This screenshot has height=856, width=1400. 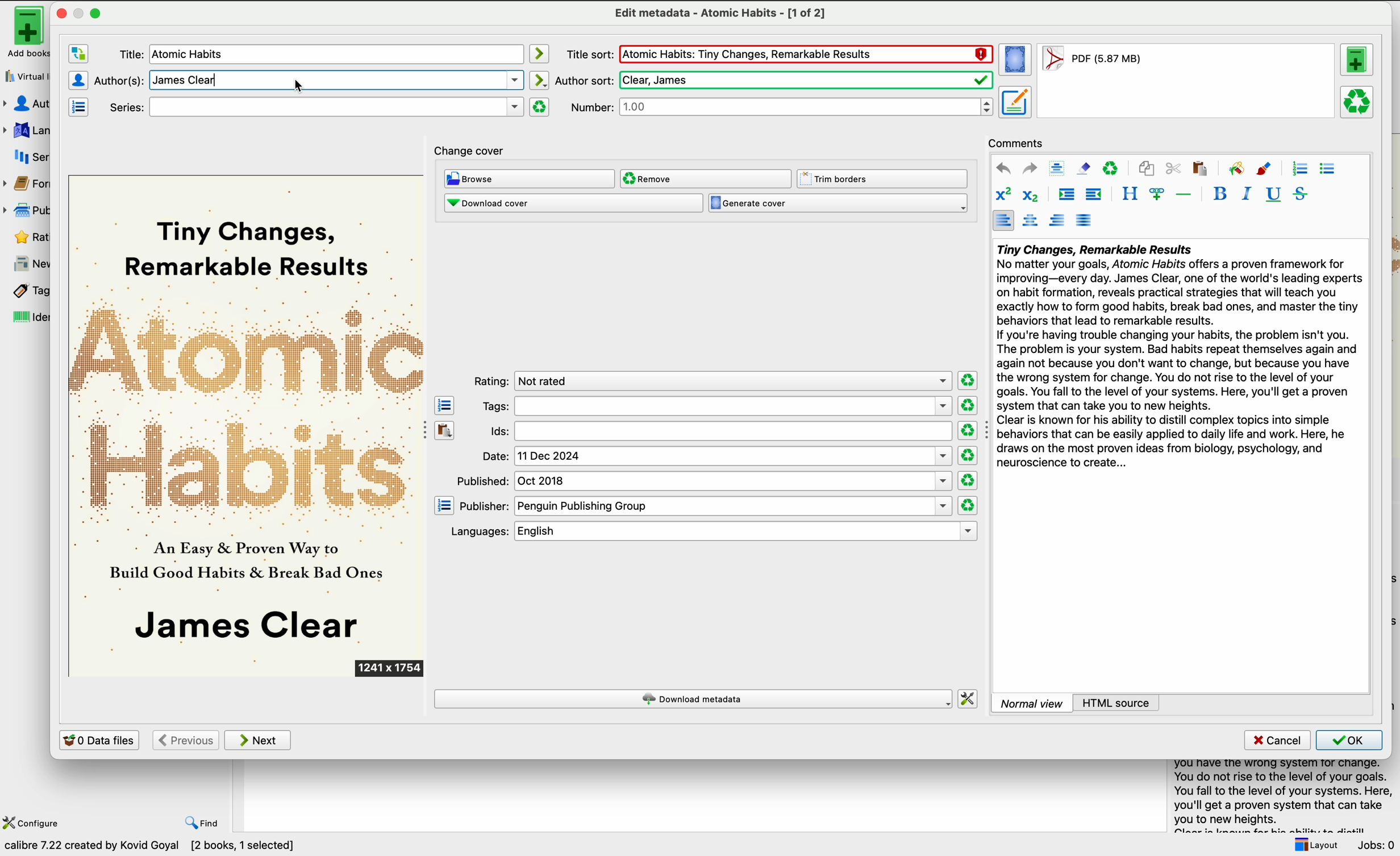 What do you see at coordinates (969, 456) in the screenshot?
I see `clear rating` at bounding box center [969, 456].